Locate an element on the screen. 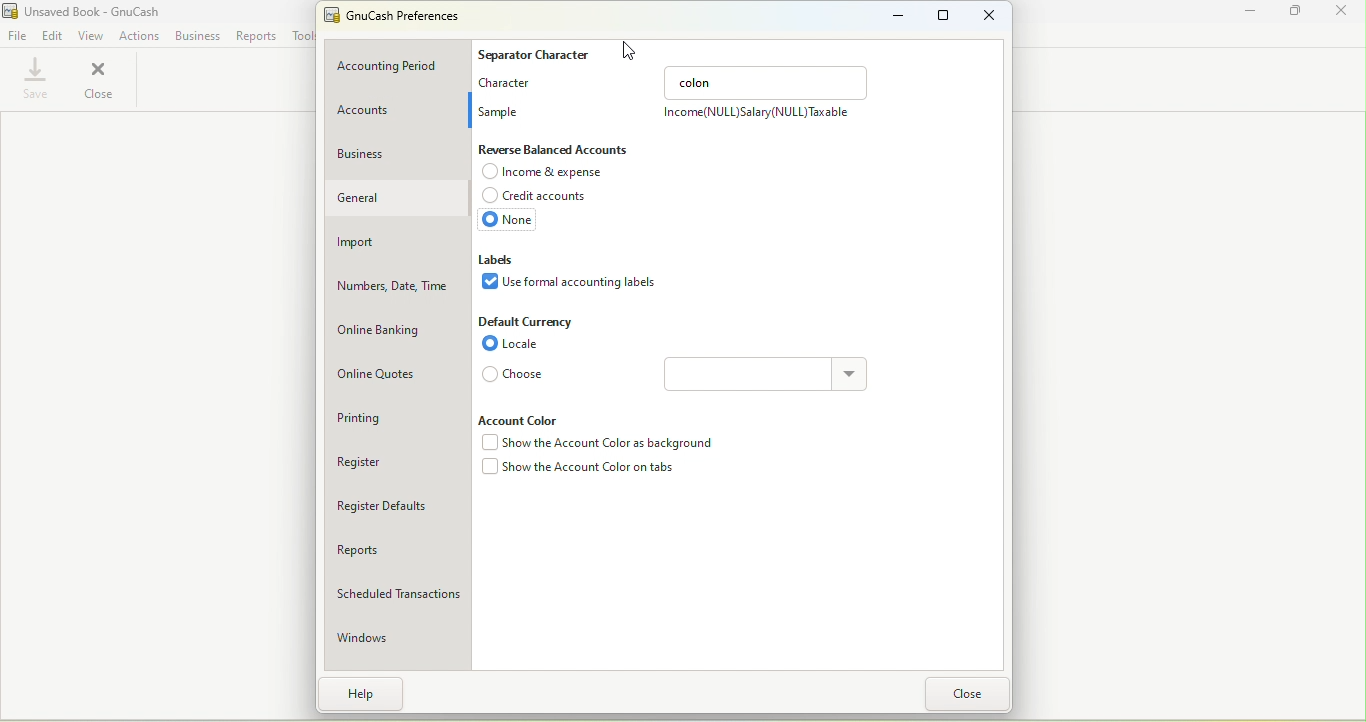 The width and height of the screenshot is (1366, 722). Tools is located at coordinates (304, 37).